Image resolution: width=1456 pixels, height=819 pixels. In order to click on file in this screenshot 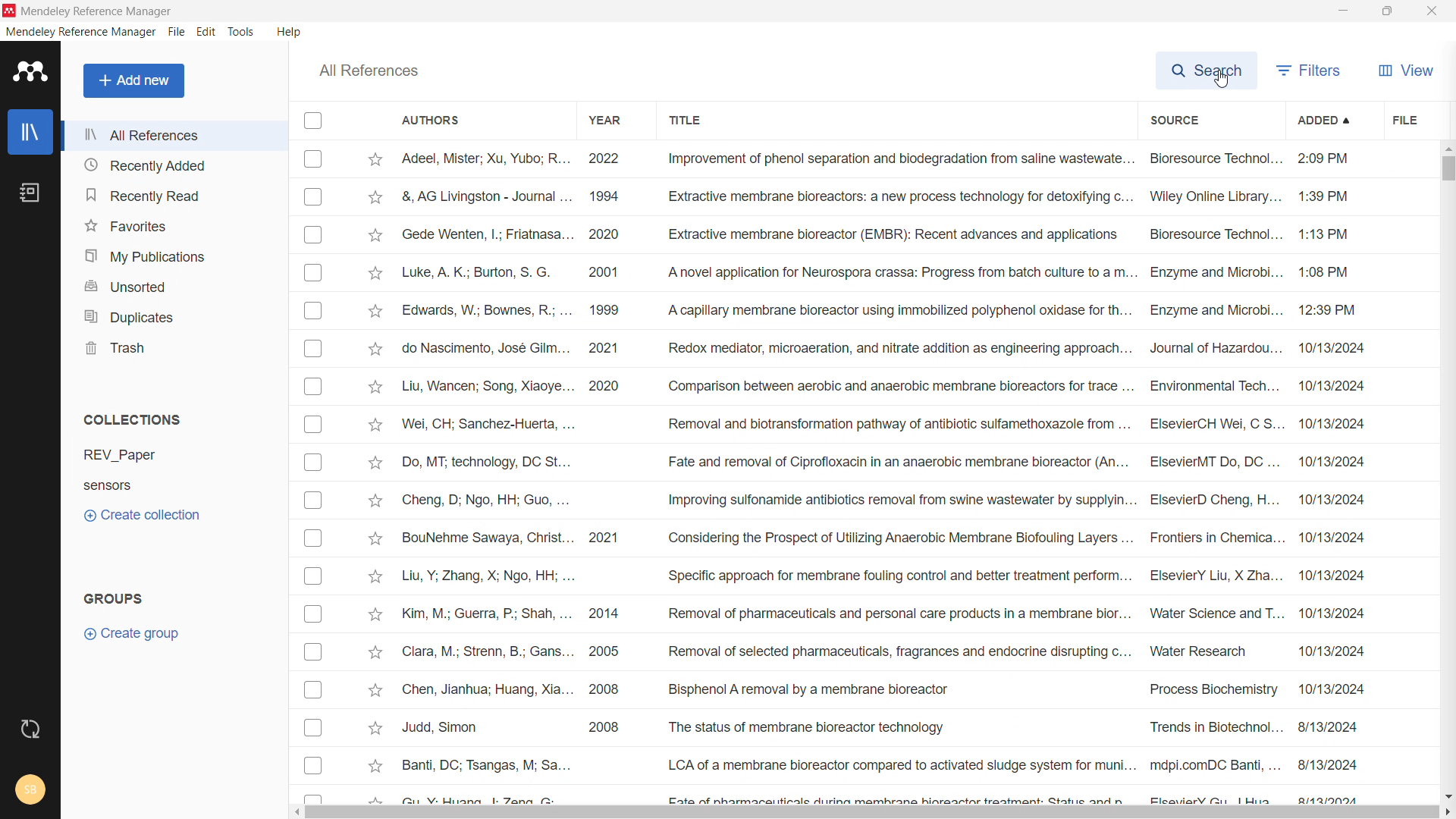, I will do `click(1420, 120)`.